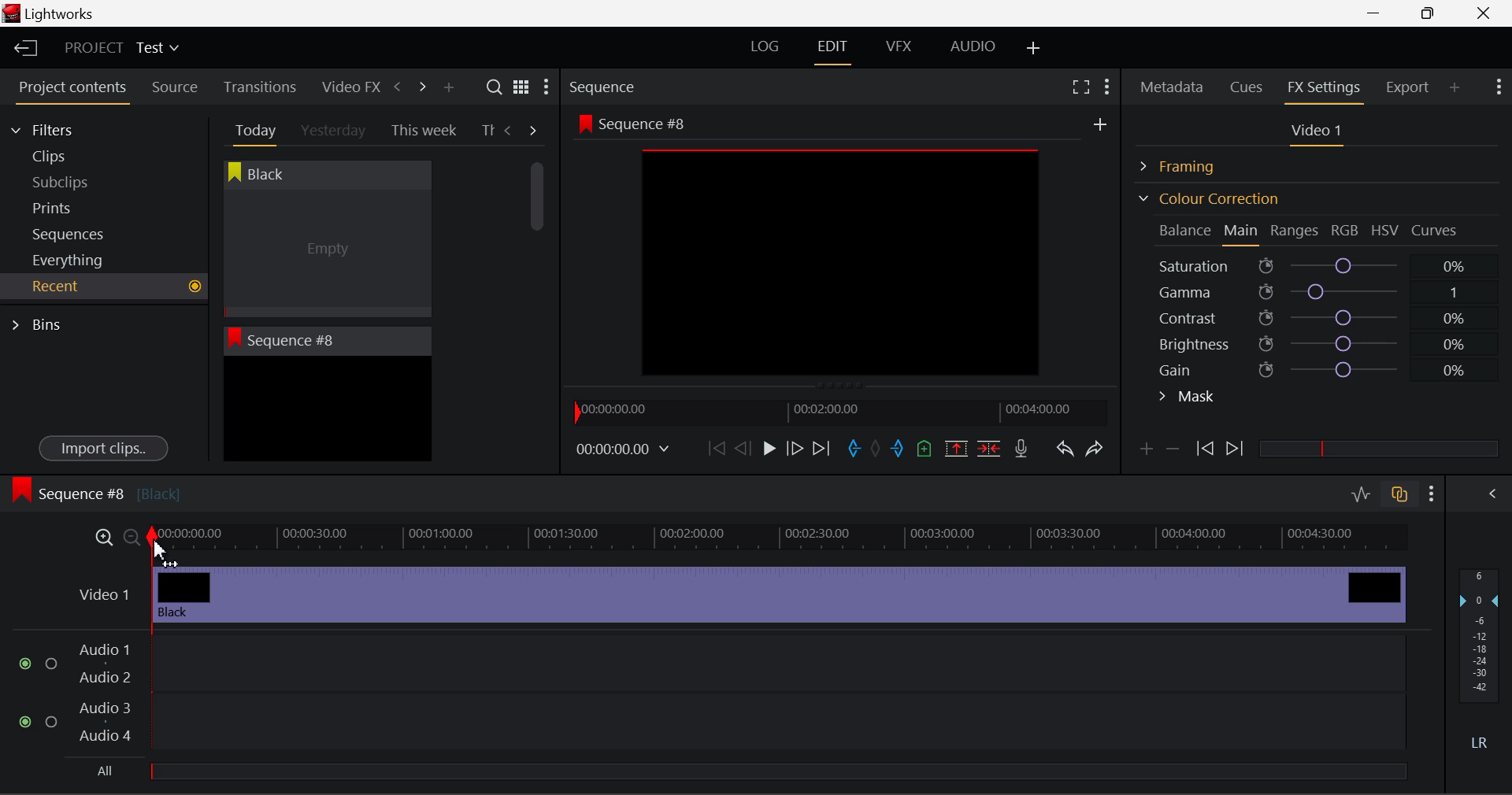 The image size is (1512, 795). I want to click on Bins, so click(42, 323).